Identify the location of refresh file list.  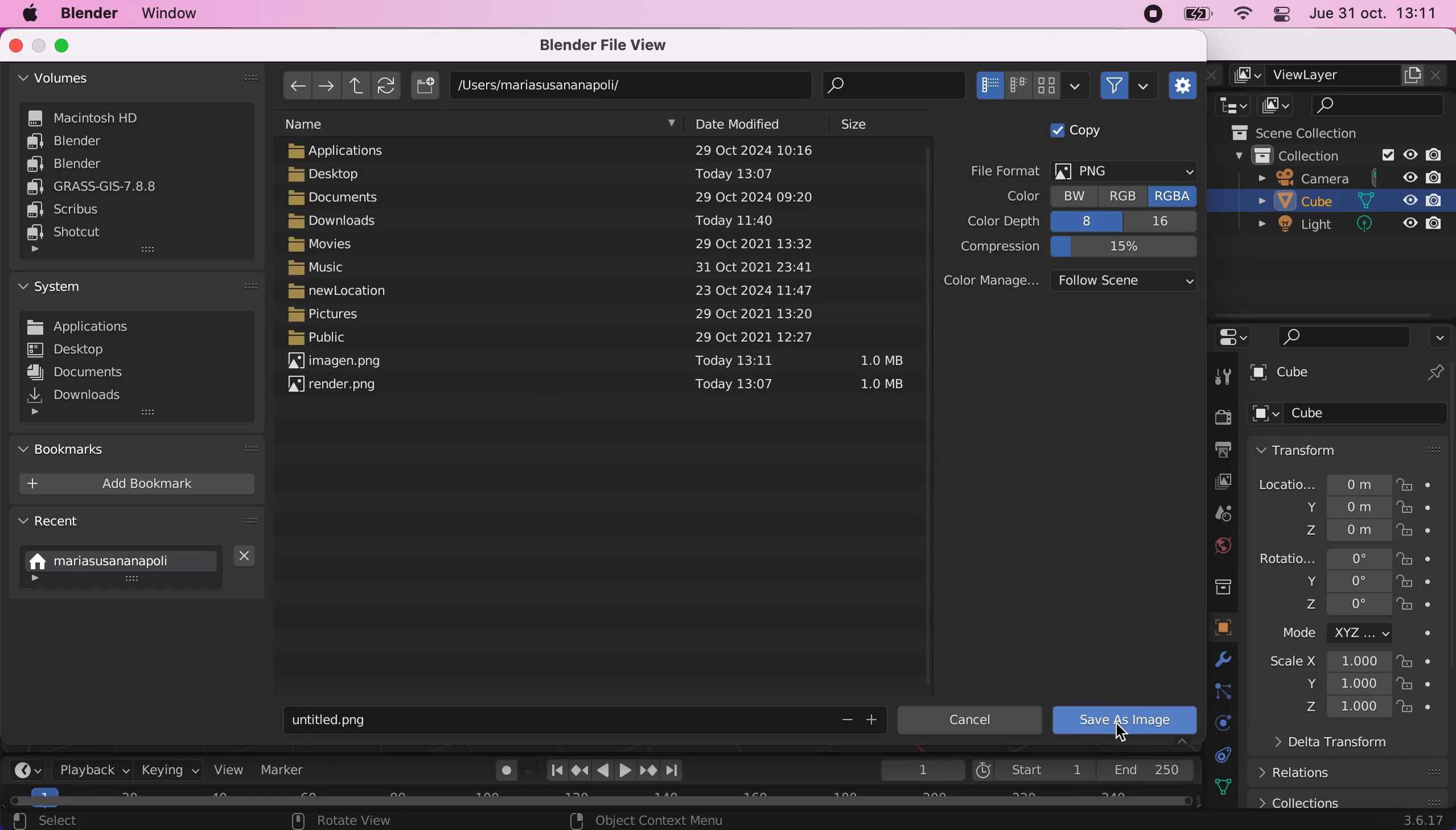
(389, 86).